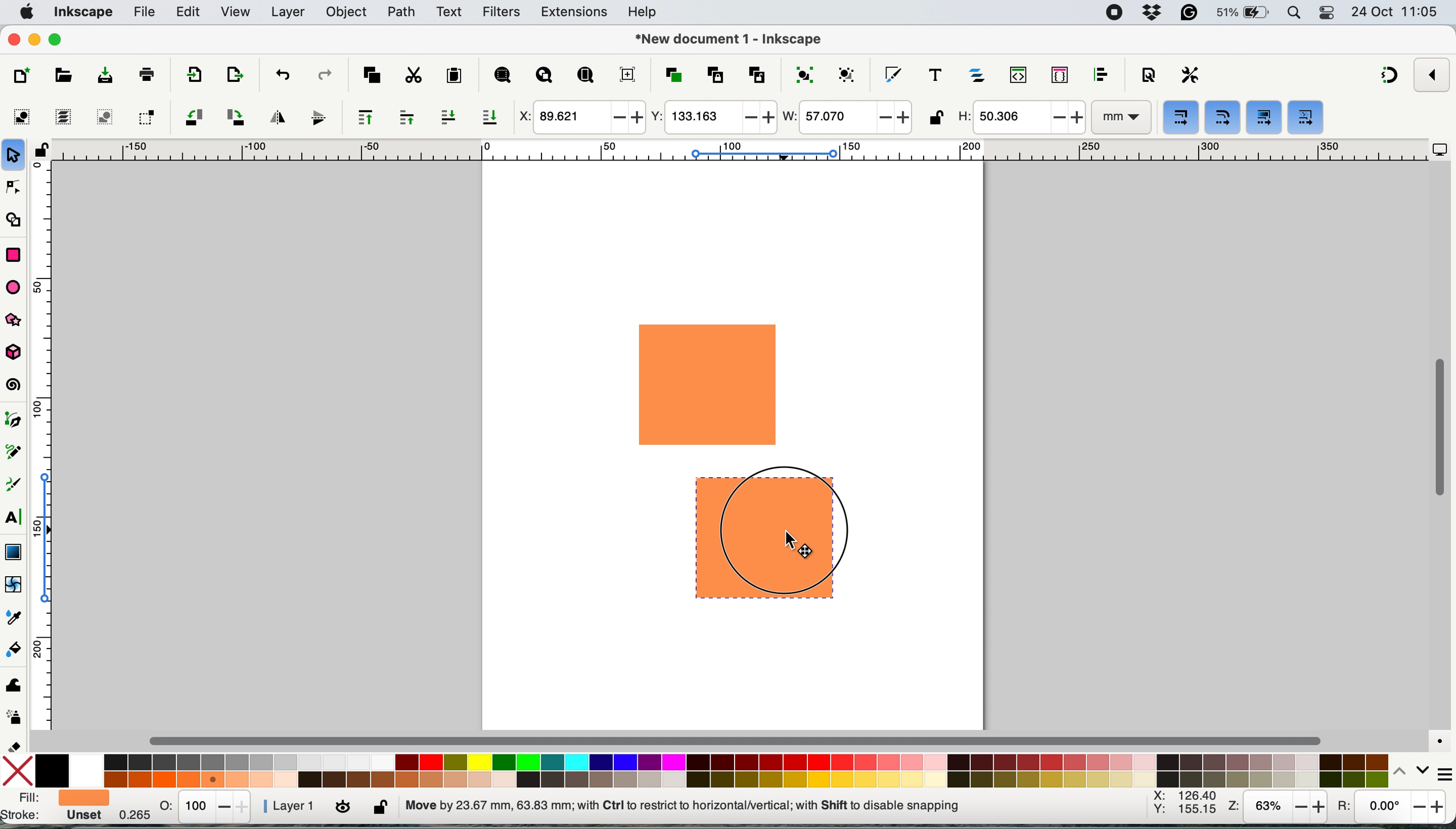 The image size is (1456, 829). What do you see at coordinates (324, 74) in the screenshot?
I see `redo` at bounding box center [324, 74].